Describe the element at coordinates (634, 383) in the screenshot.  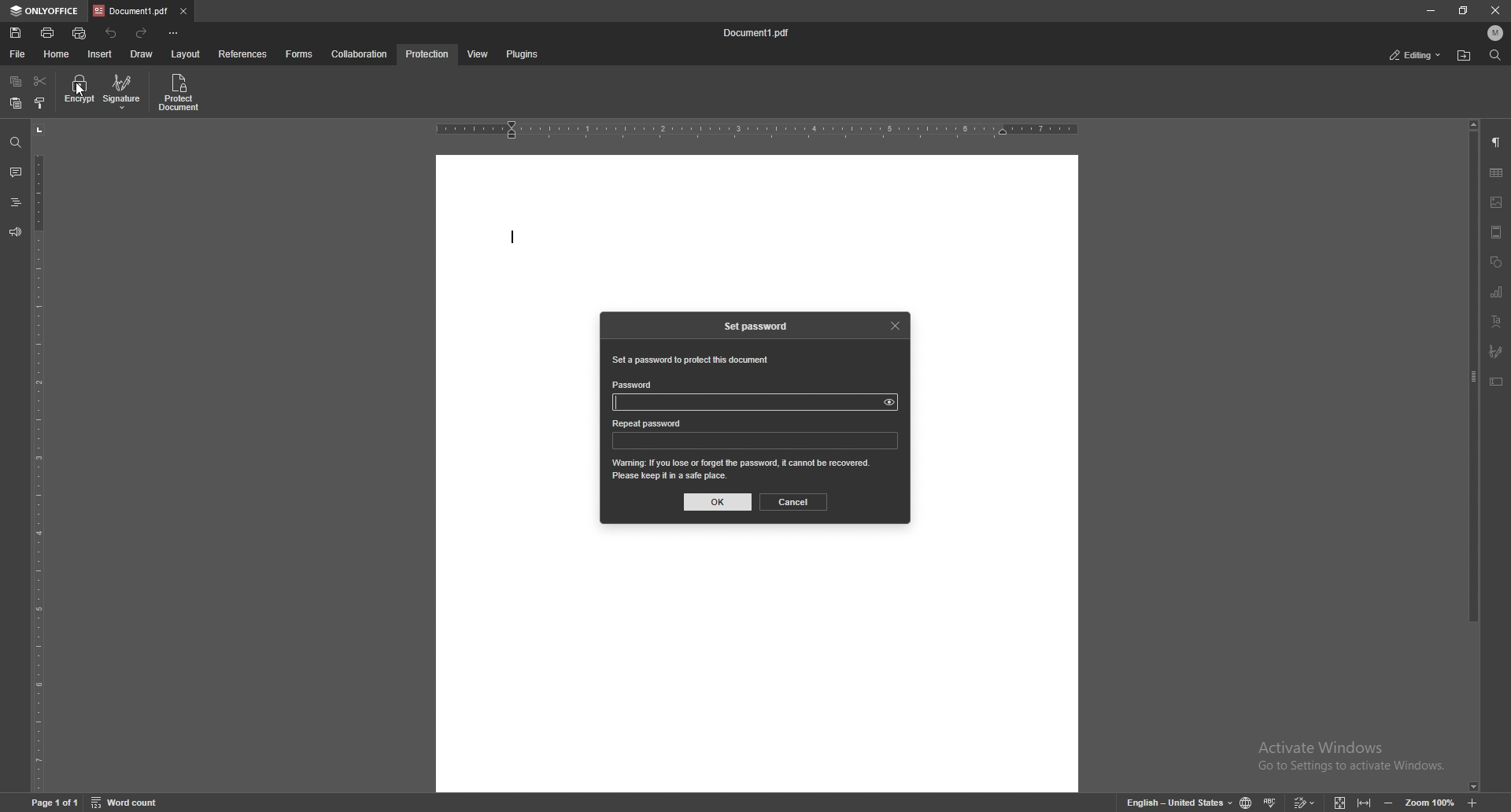
I see `password` at that location.